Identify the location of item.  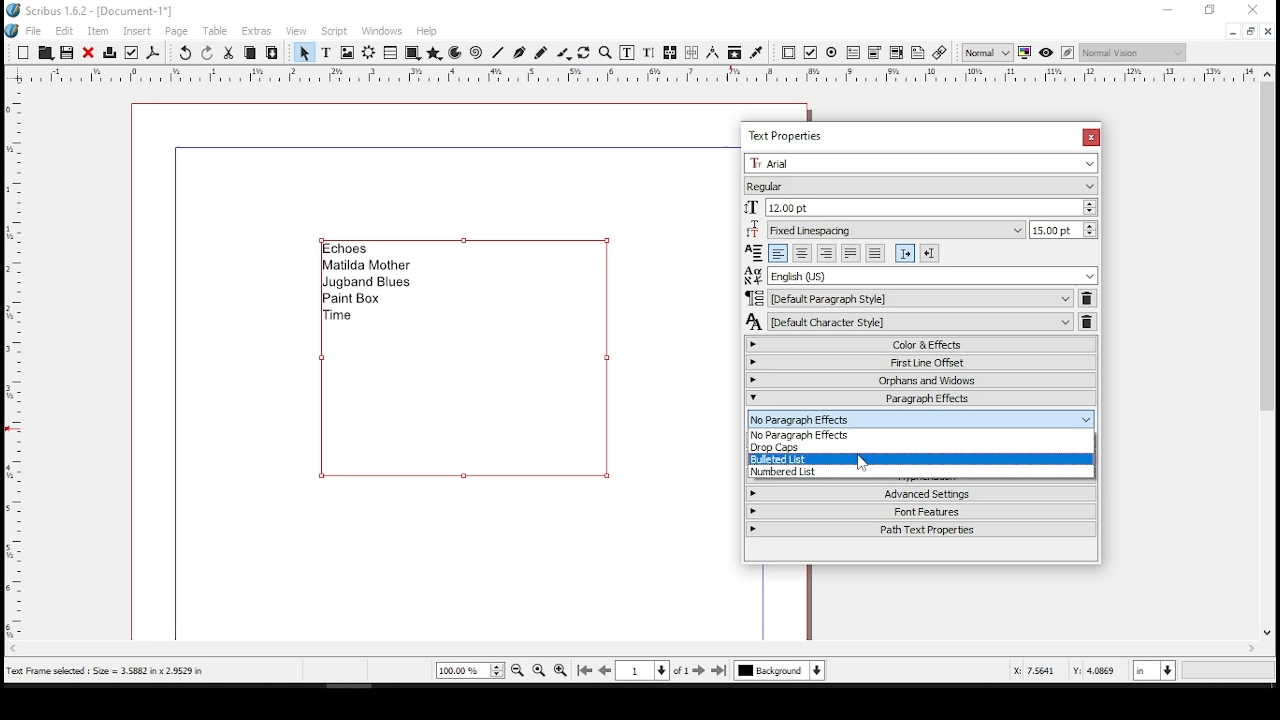
(97, 31).